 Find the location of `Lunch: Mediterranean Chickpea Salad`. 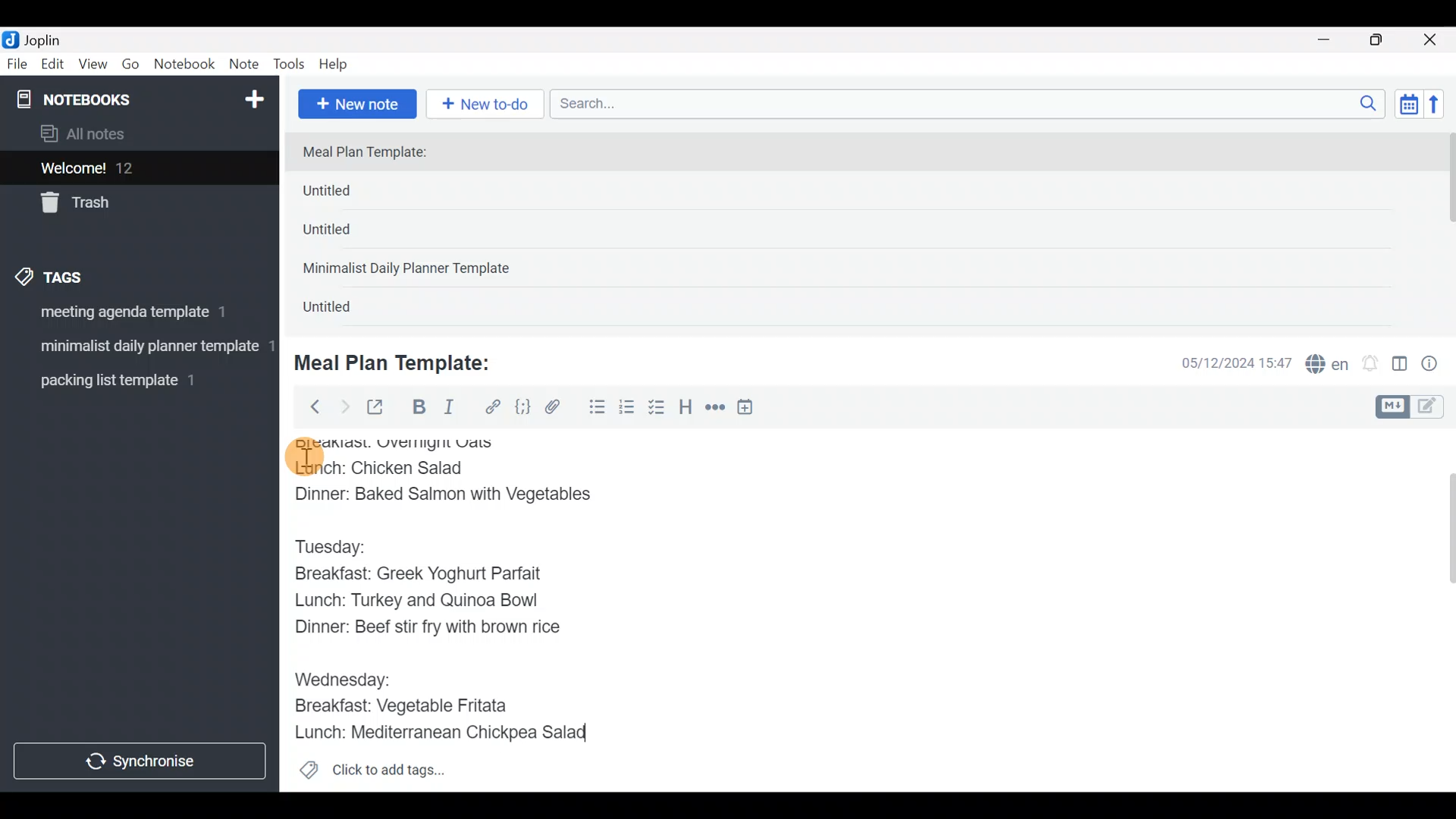

Lunch: Mediterranean Chickpea Salad is located at coordinates (451, 732).